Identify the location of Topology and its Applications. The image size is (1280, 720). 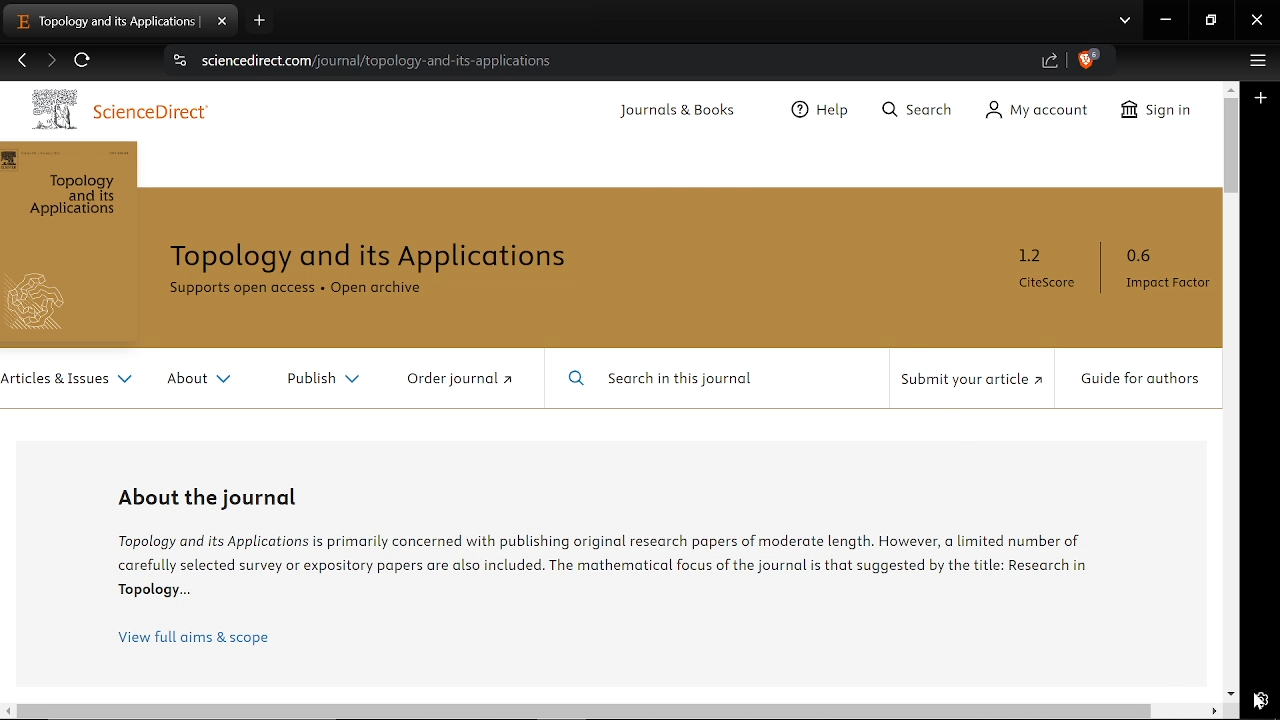
(368, 254).